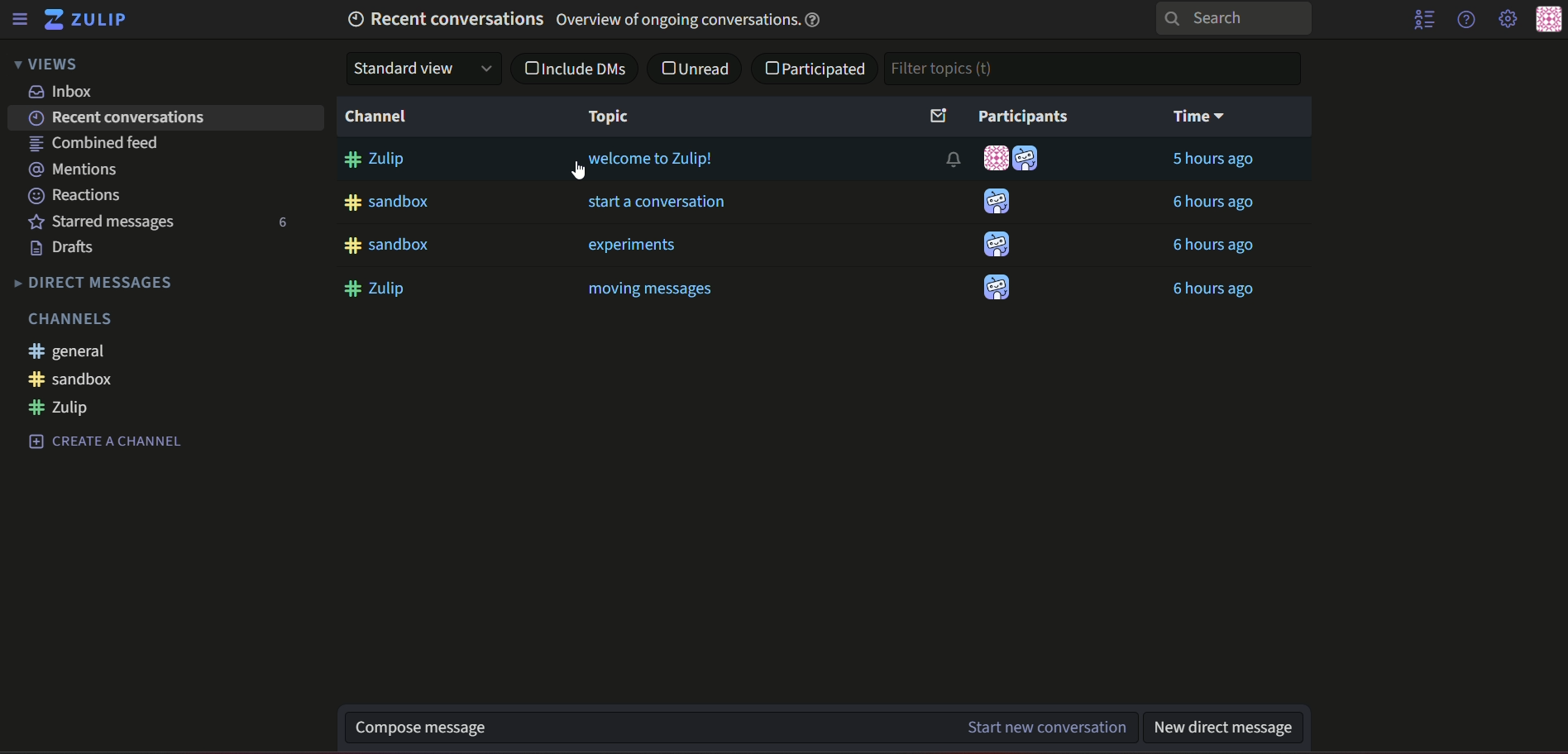  Describe the element at coordinates (631, 727) in the screenshot. I see `Compose message start new conversation` at that location.